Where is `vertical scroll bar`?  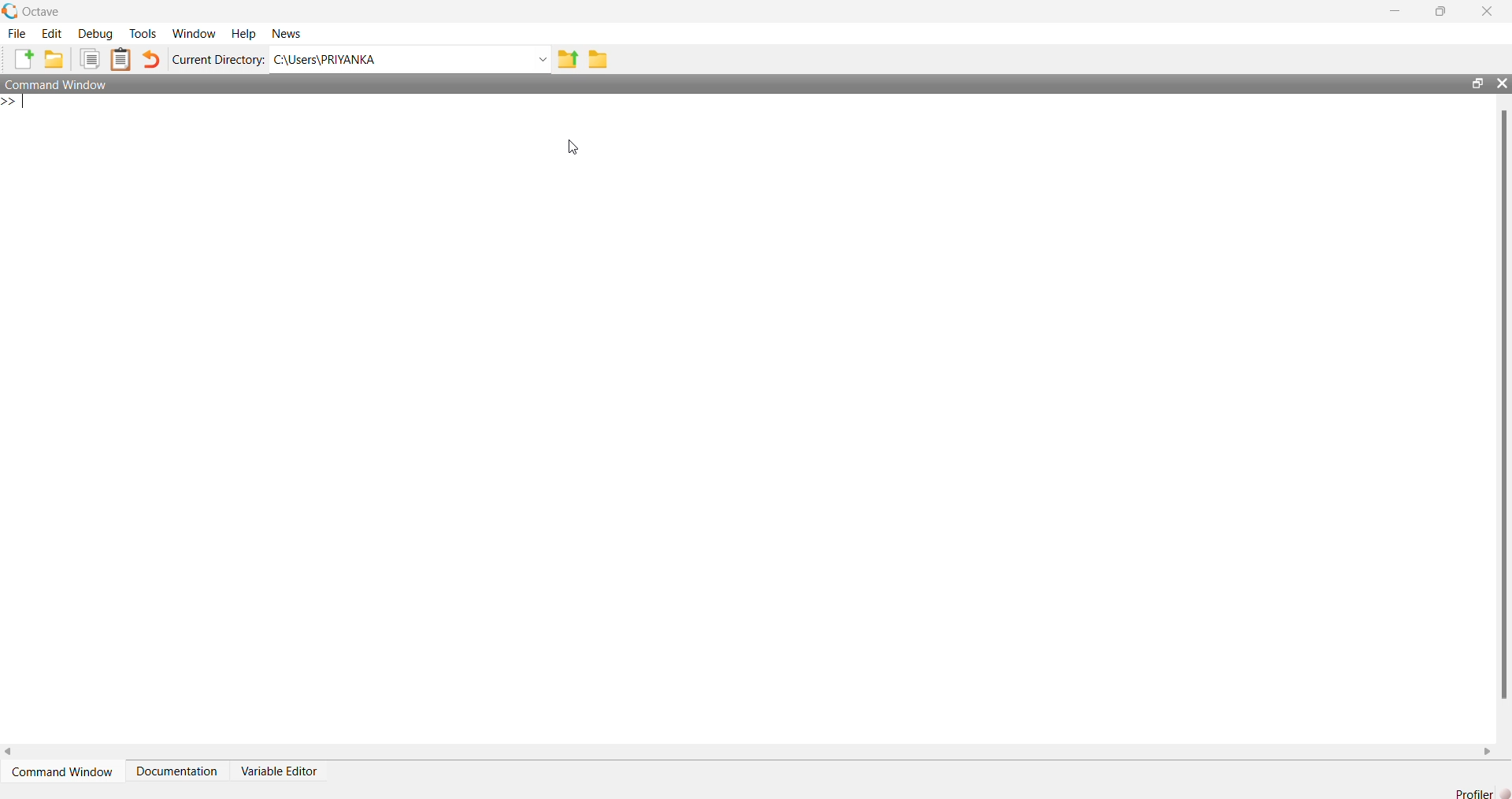 vertical scroll bar is located at coordinates (1504, 418).